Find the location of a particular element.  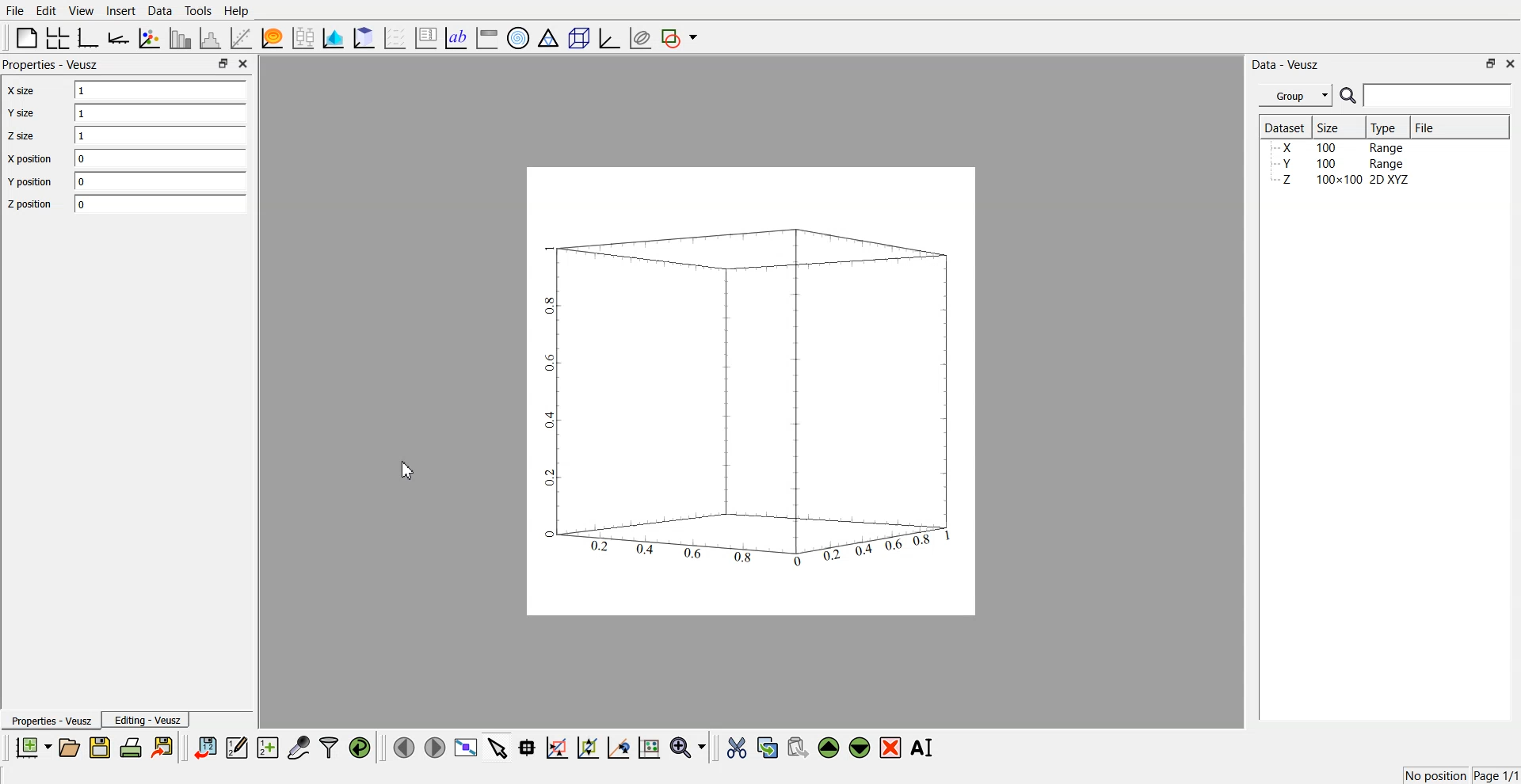

Plot box plots is located at coordinates (303, 38).